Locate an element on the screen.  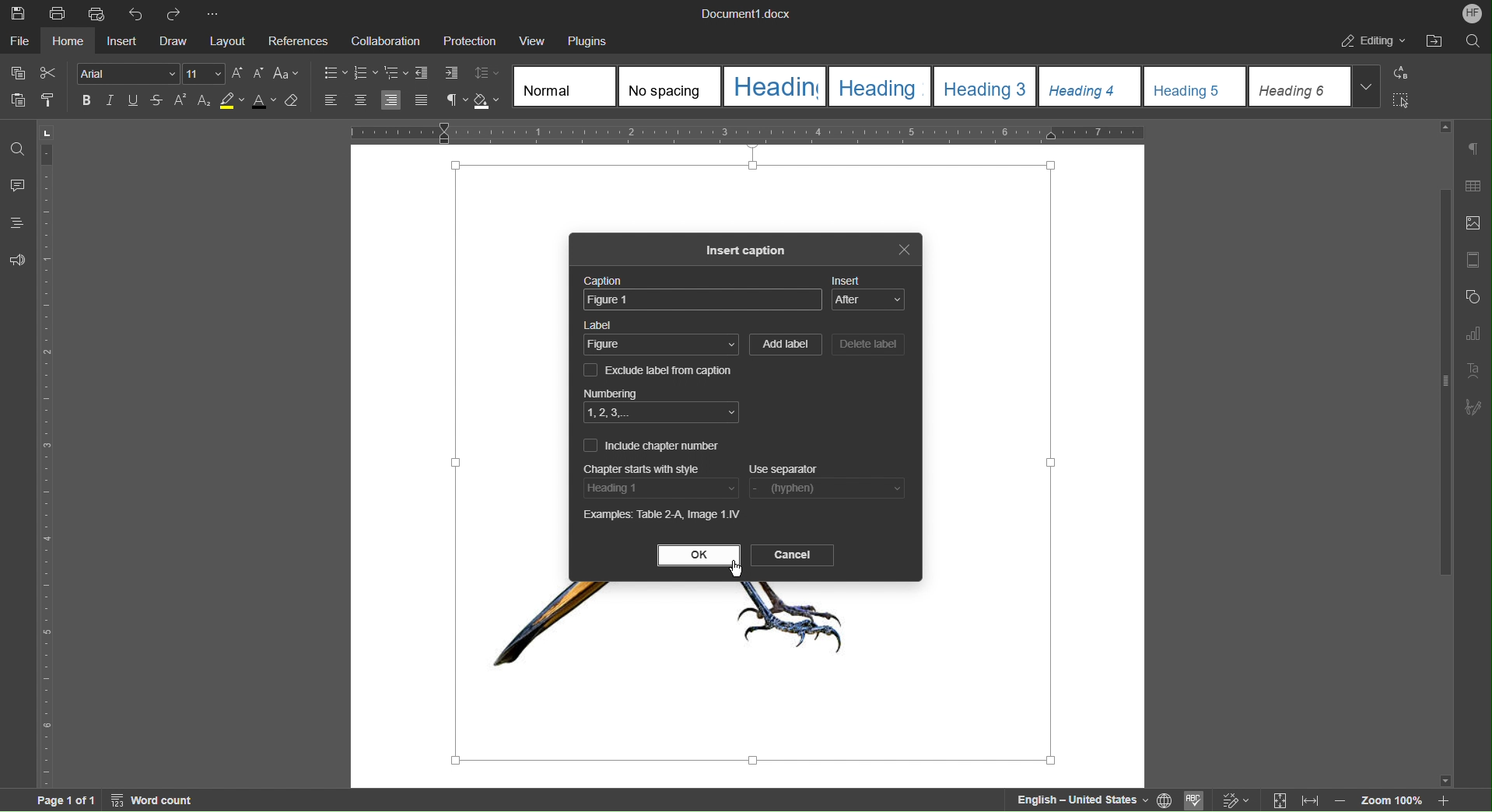
Insert is located at coordinates (847, 280).